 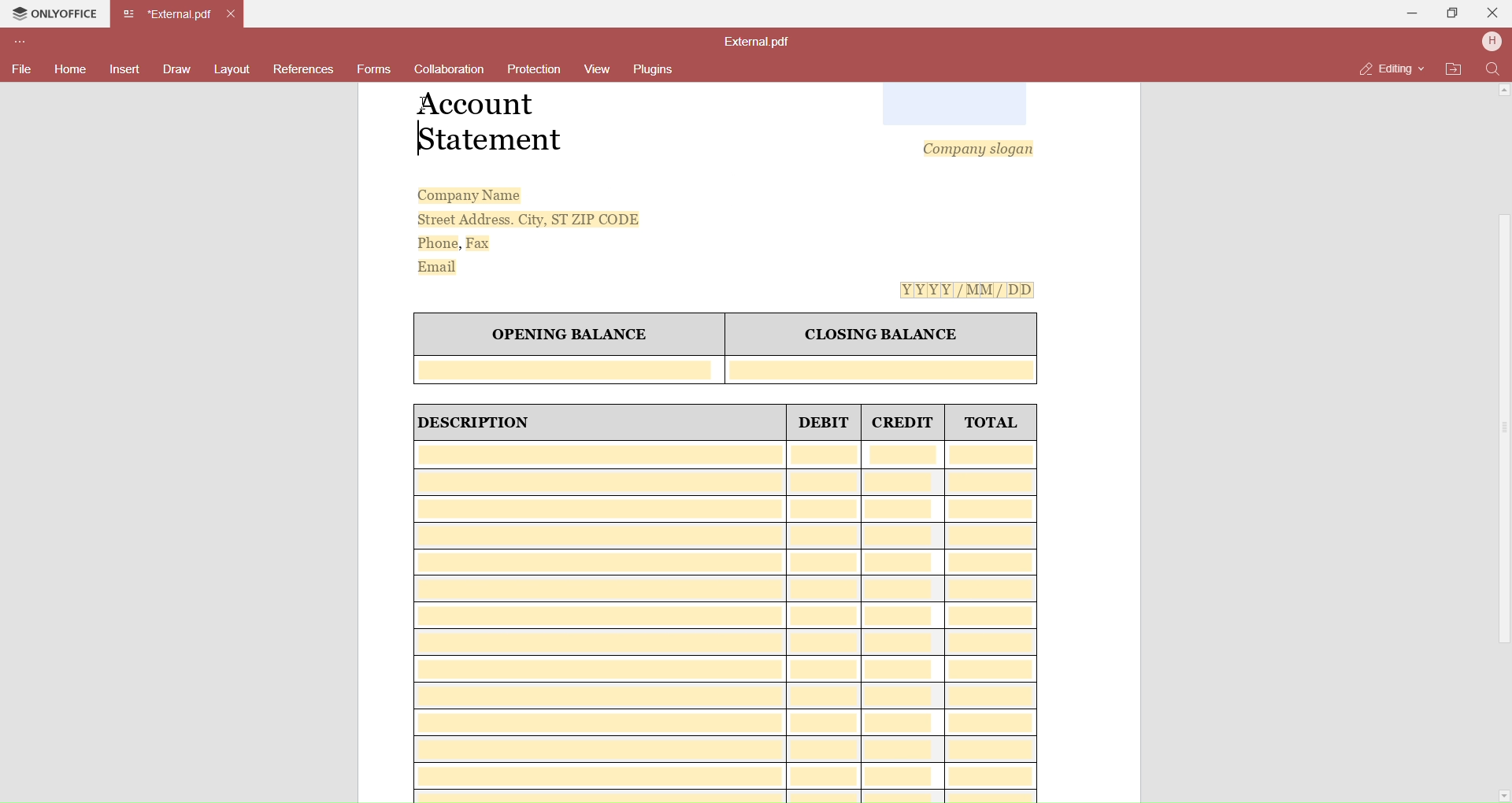 What do you see at coordinates (456, 244) in the screenshot?
I see `Phone, Fax` at bounding box center [456, 244].